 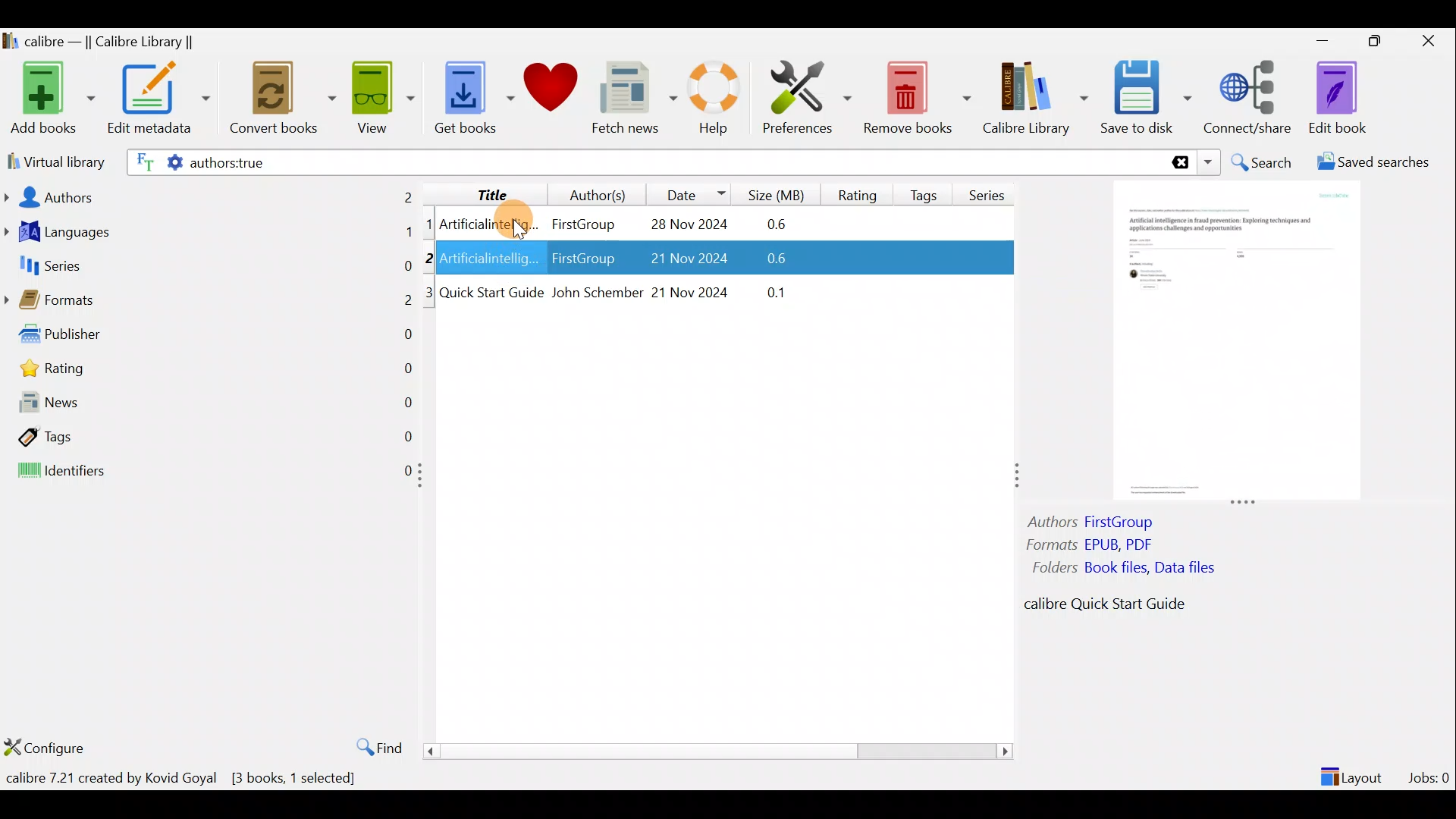 I want to click on Cursor, so click(x=509, y=221).